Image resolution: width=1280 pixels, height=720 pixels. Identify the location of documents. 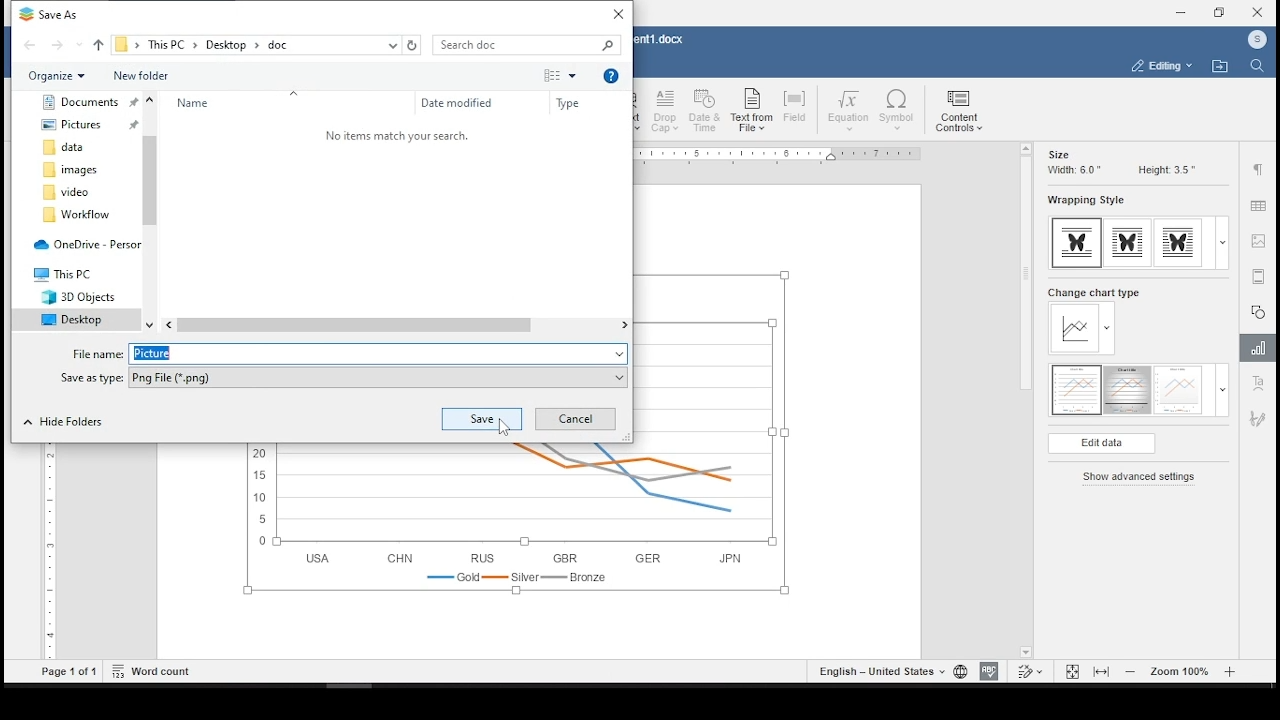
(88, 101).